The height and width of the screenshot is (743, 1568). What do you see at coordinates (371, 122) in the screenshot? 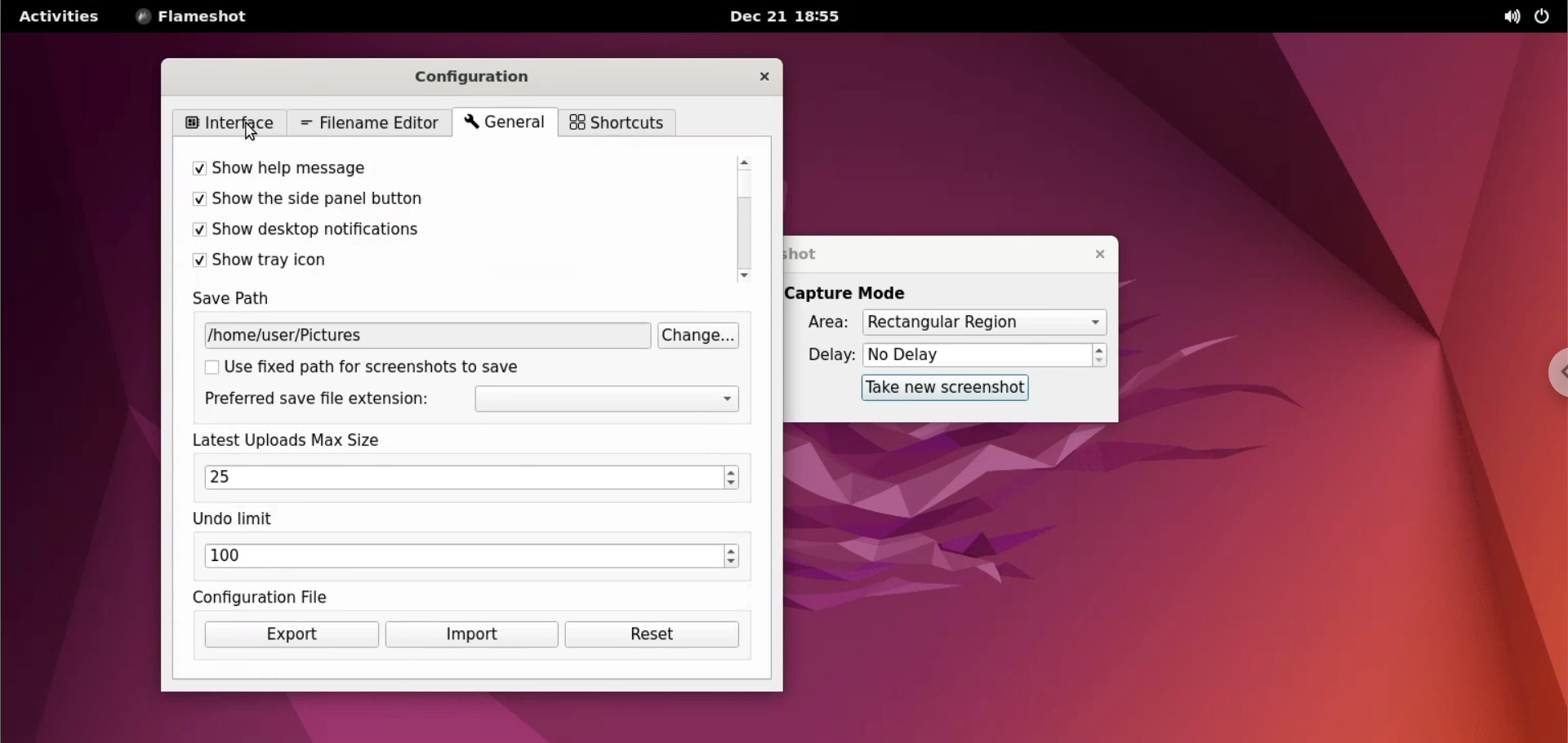
I see `filename editor` at bounding box center [371, 122].